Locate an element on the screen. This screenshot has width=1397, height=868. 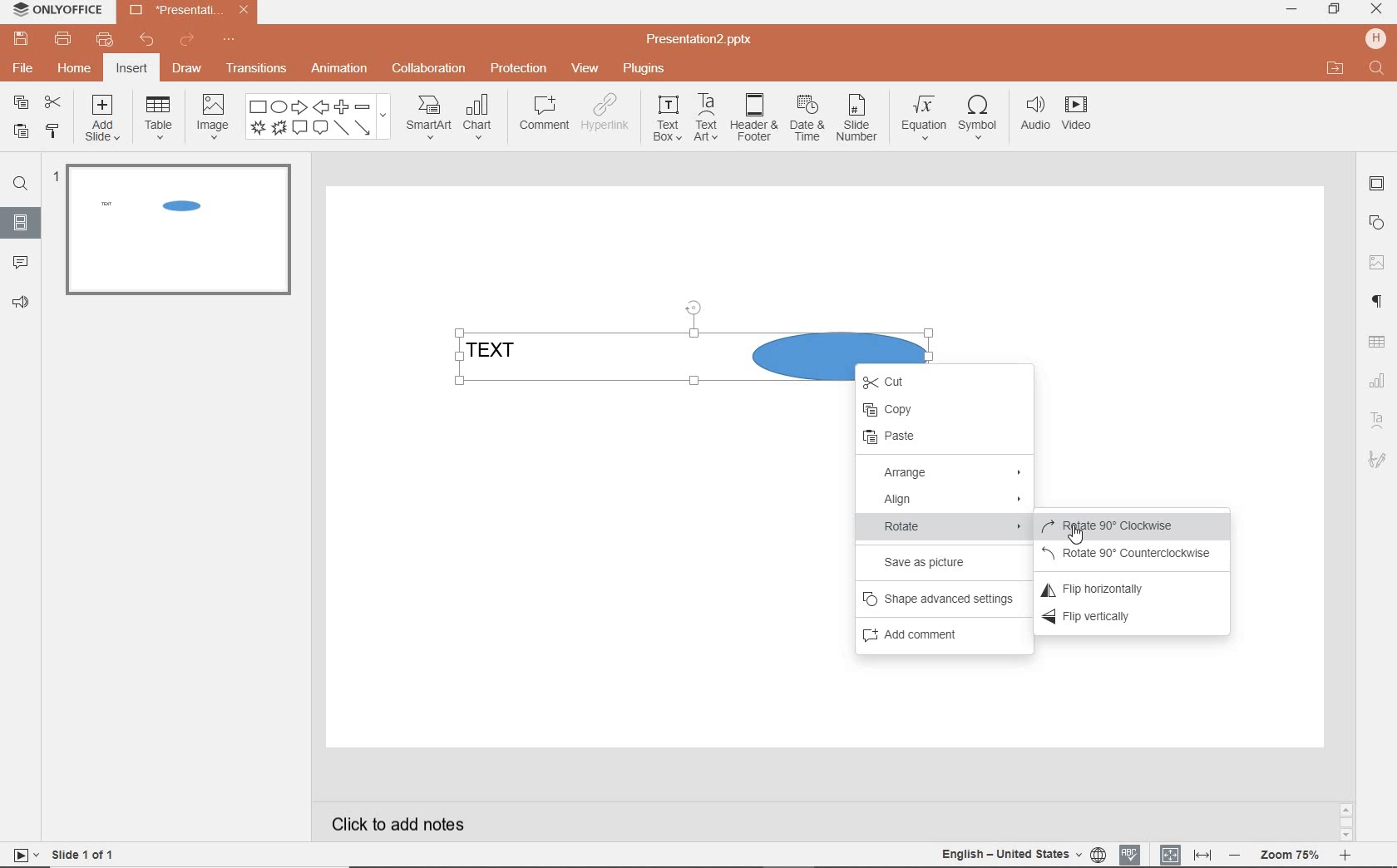
ROTATE 90 CLOCKWISE is located at coordinates (1132, 526).